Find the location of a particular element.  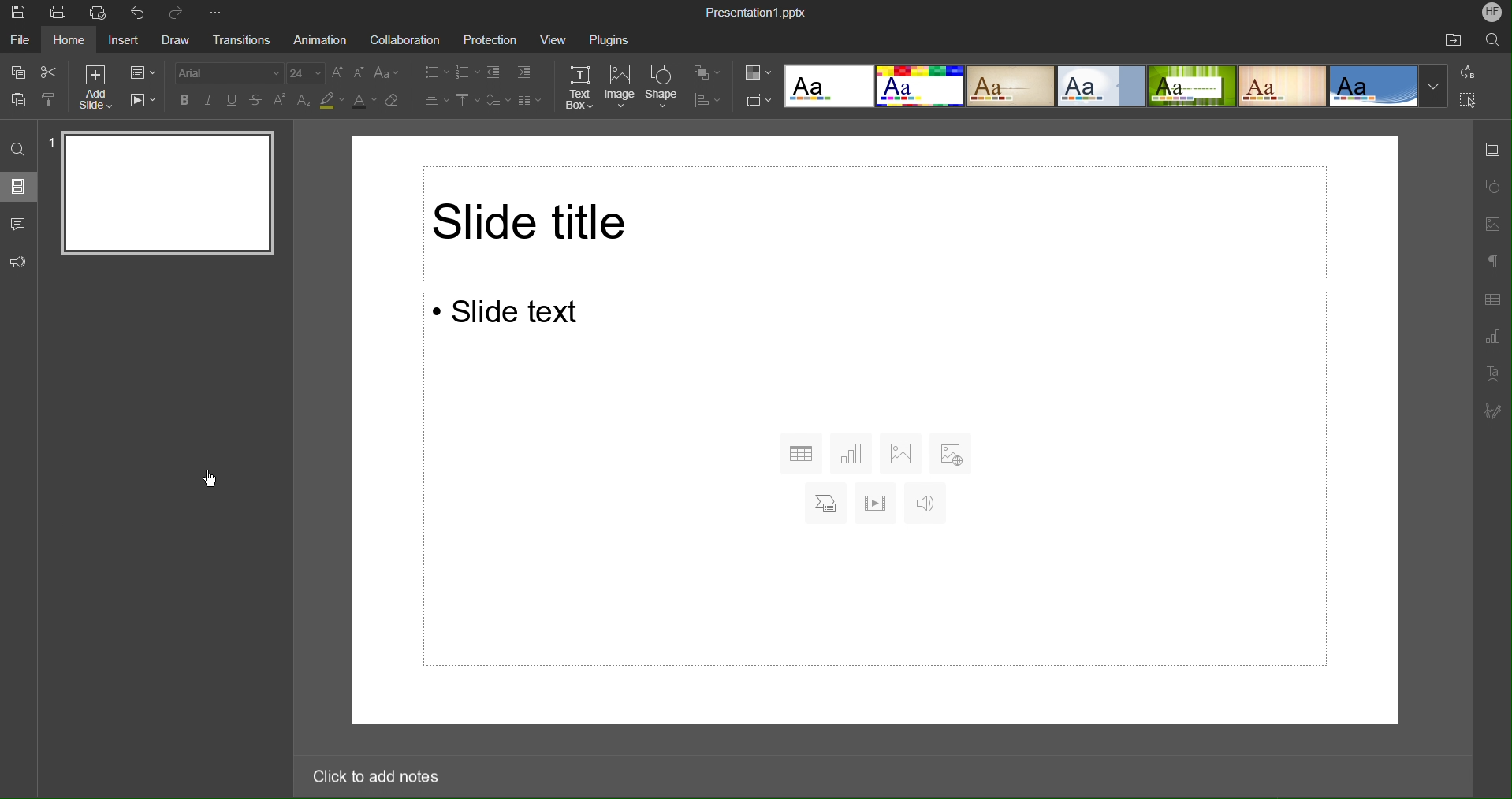

Save is located at coordinates (17, 13).